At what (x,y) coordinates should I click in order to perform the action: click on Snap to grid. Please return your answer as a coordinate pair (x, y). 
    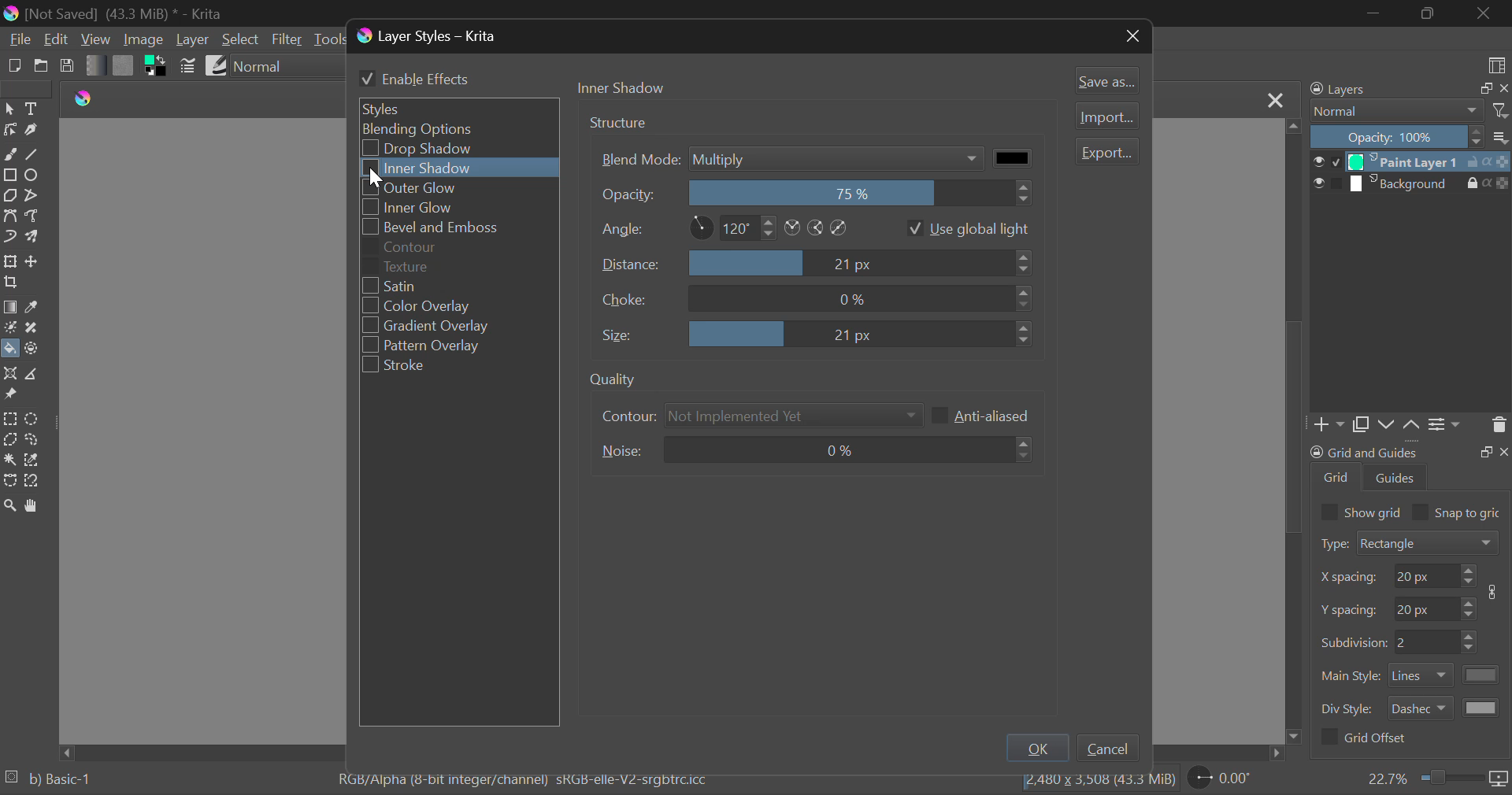
    Looking at the image, I should click on (1460, 511).